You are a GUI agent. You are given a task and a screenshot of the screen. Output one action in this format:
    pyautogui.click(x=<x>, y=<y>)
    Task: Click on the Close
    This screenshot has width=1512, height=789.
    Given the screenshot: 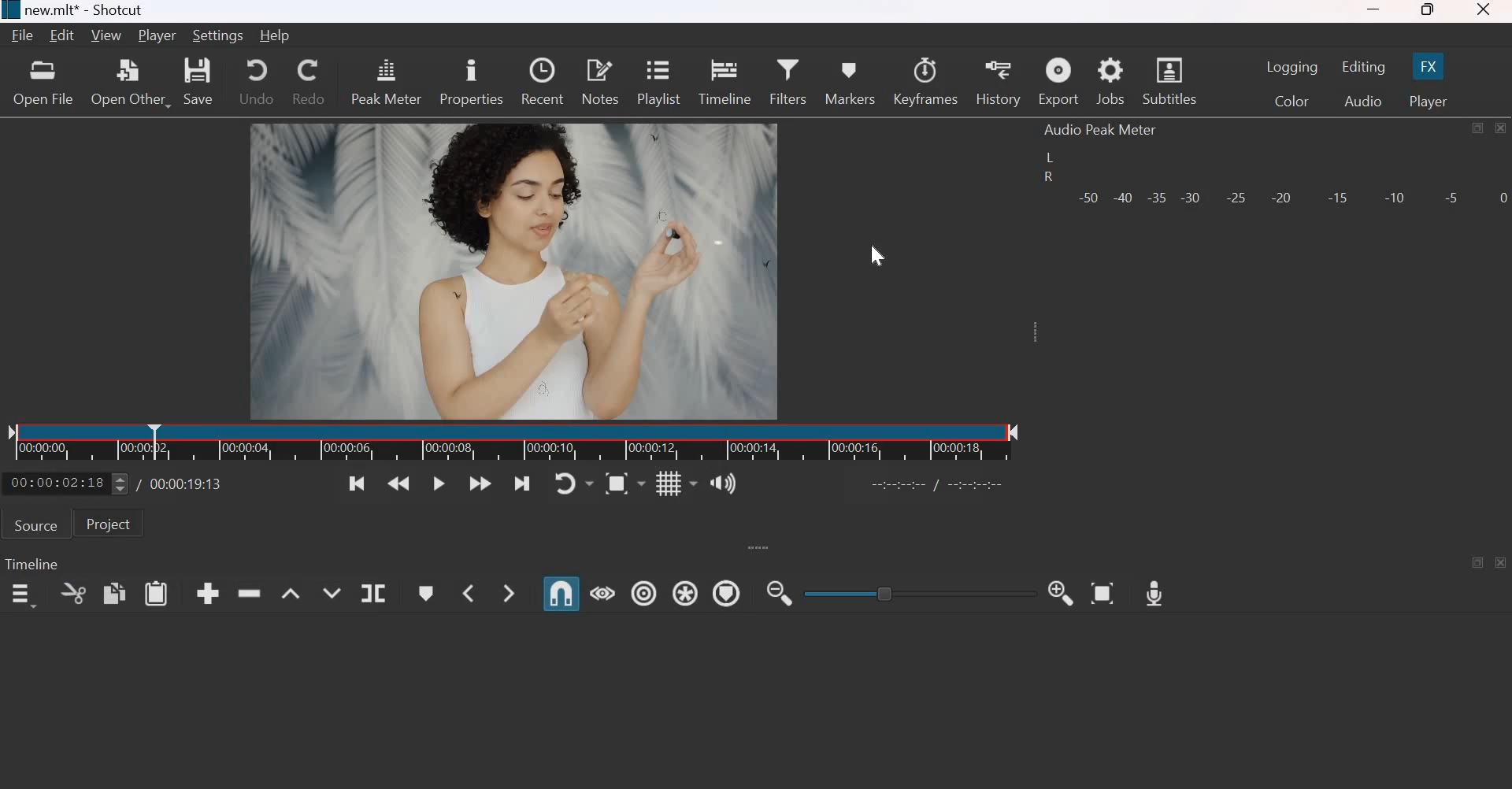 What is the action you would take?
    pyautogui.click(x=1502, y=128)
    